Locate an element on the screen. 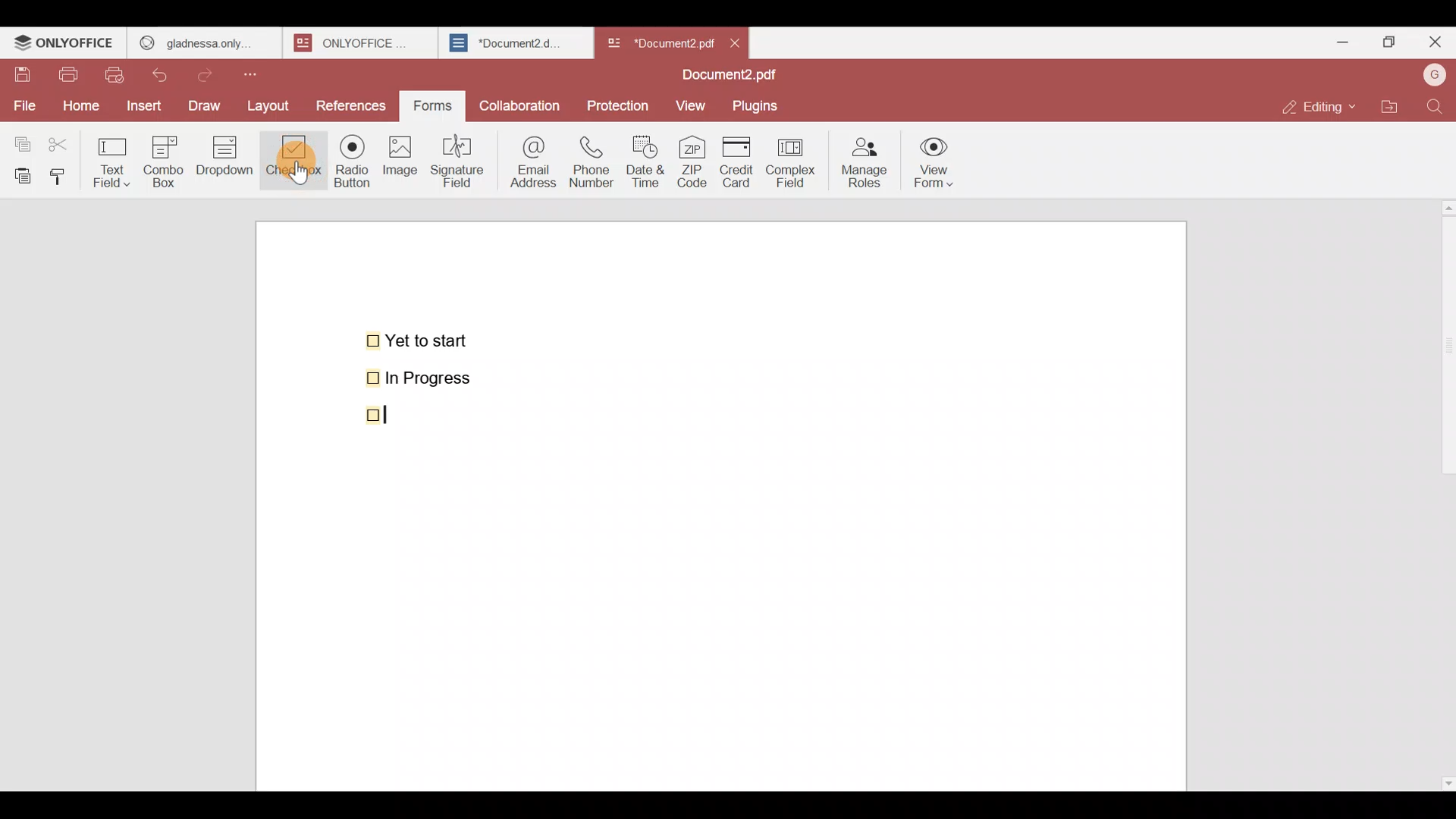 Image resolution: width=1456 pixels, height=819 pixels. View is located at coordinates (693, 105).